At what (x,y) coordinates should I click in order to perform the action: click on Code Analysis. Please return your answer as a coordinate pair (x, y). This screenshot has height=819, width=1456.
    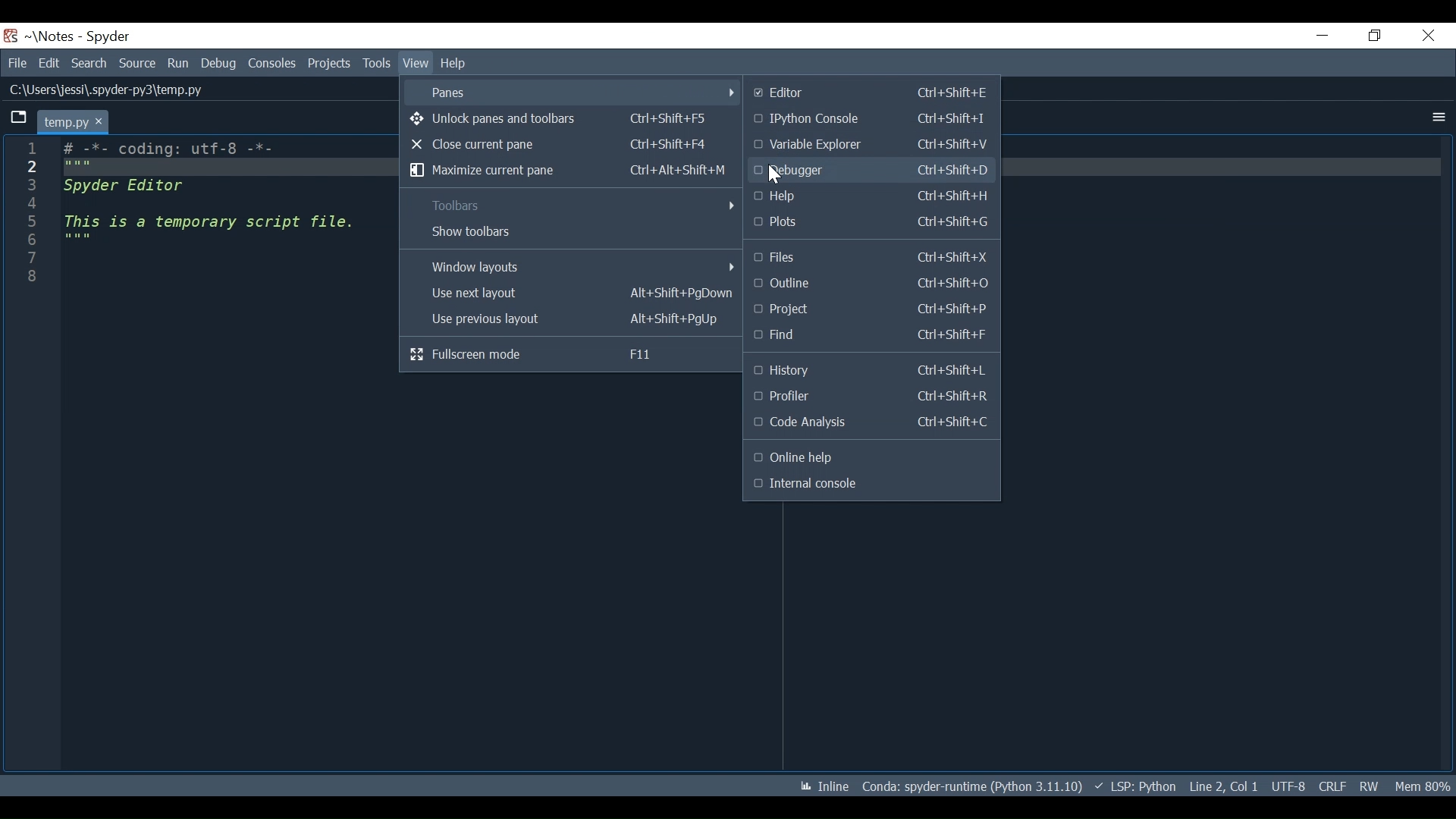
    Looking at the image, I should click on (871, 423).